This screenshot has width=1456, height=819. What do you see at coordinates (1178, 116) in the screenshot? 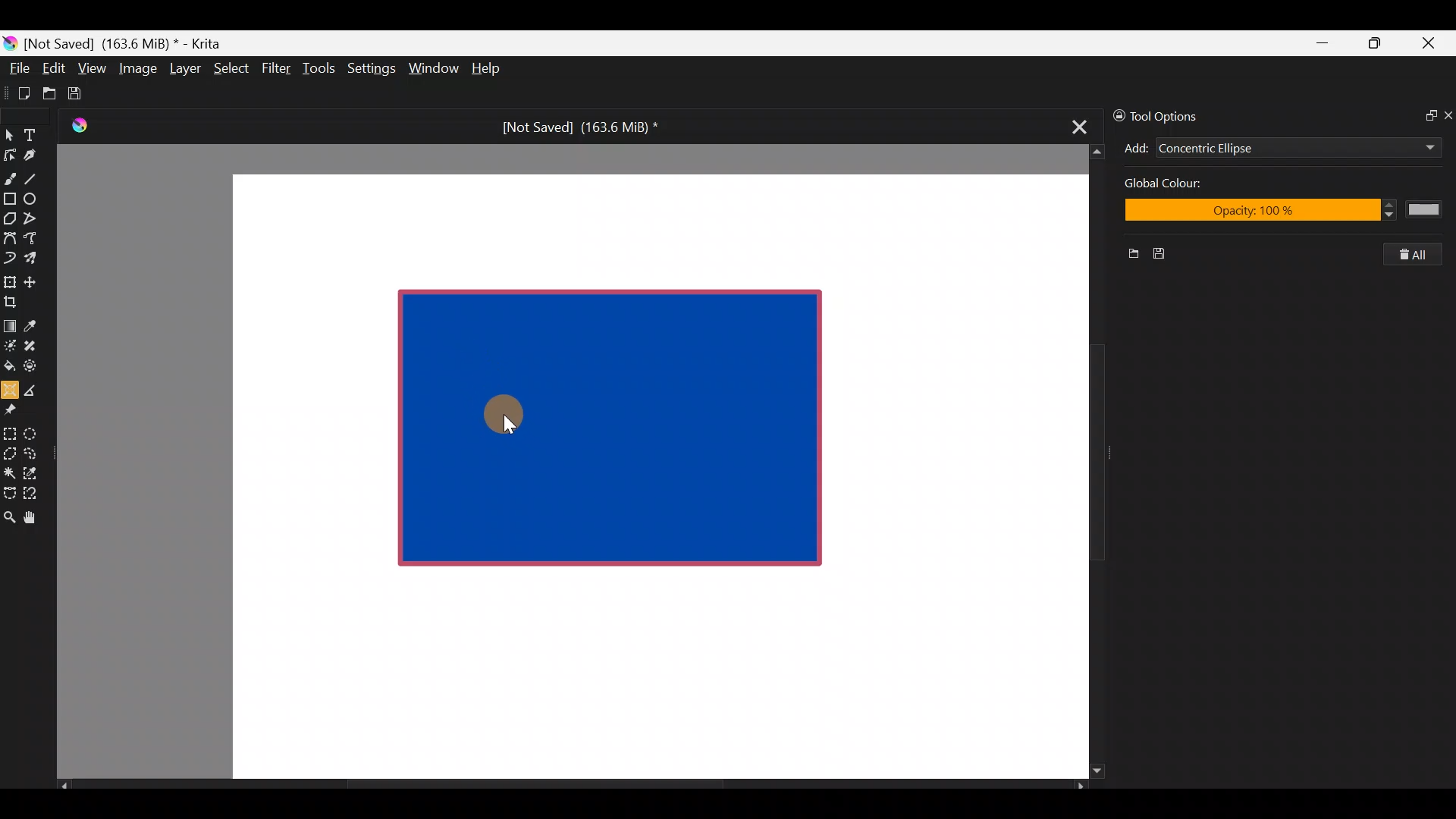
I see `Tool options` at bounding box center [1178, 116].